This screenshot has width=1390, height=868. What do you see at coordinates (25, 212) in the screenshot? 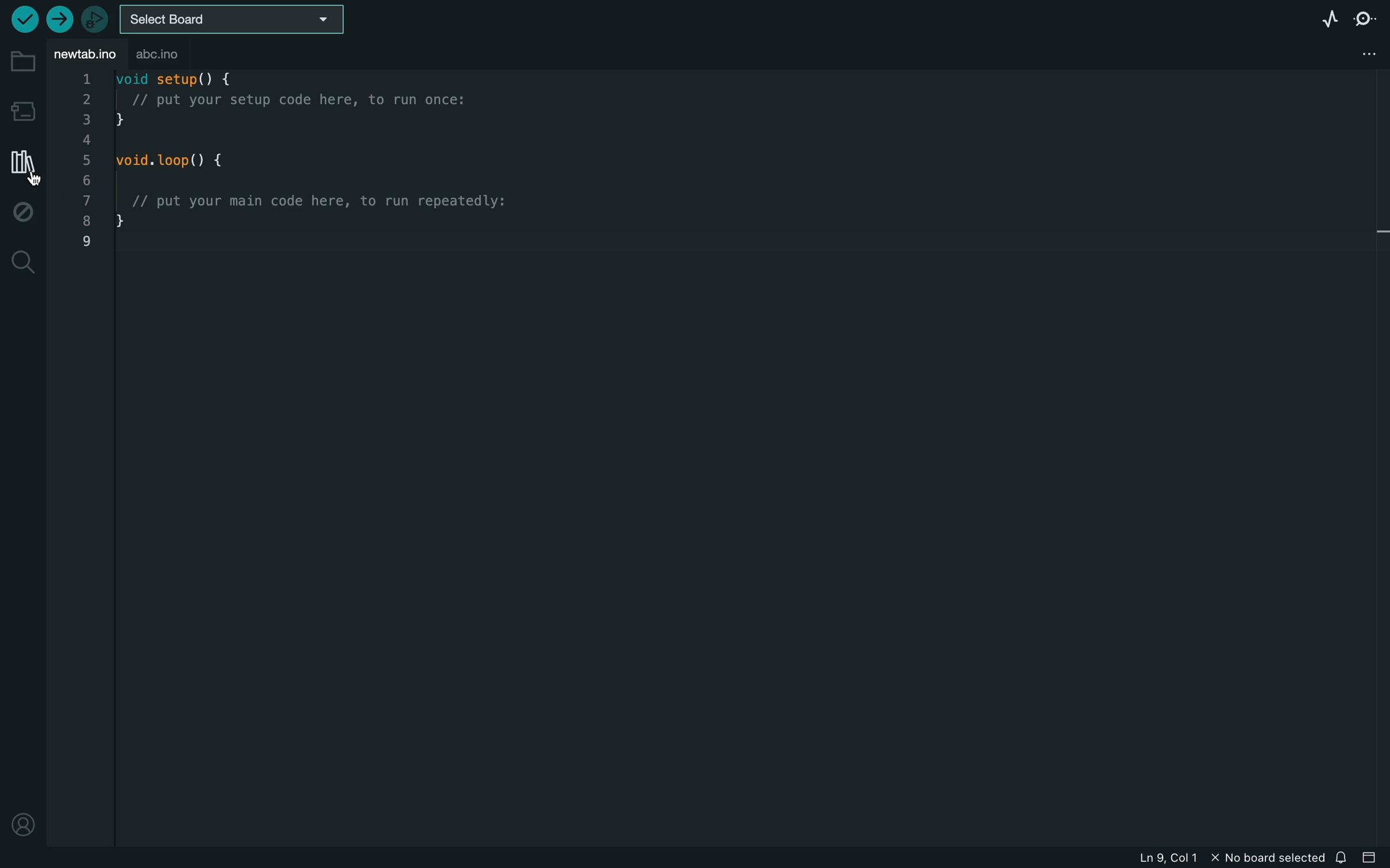
I see `debug` at bounding box center [25, 212].